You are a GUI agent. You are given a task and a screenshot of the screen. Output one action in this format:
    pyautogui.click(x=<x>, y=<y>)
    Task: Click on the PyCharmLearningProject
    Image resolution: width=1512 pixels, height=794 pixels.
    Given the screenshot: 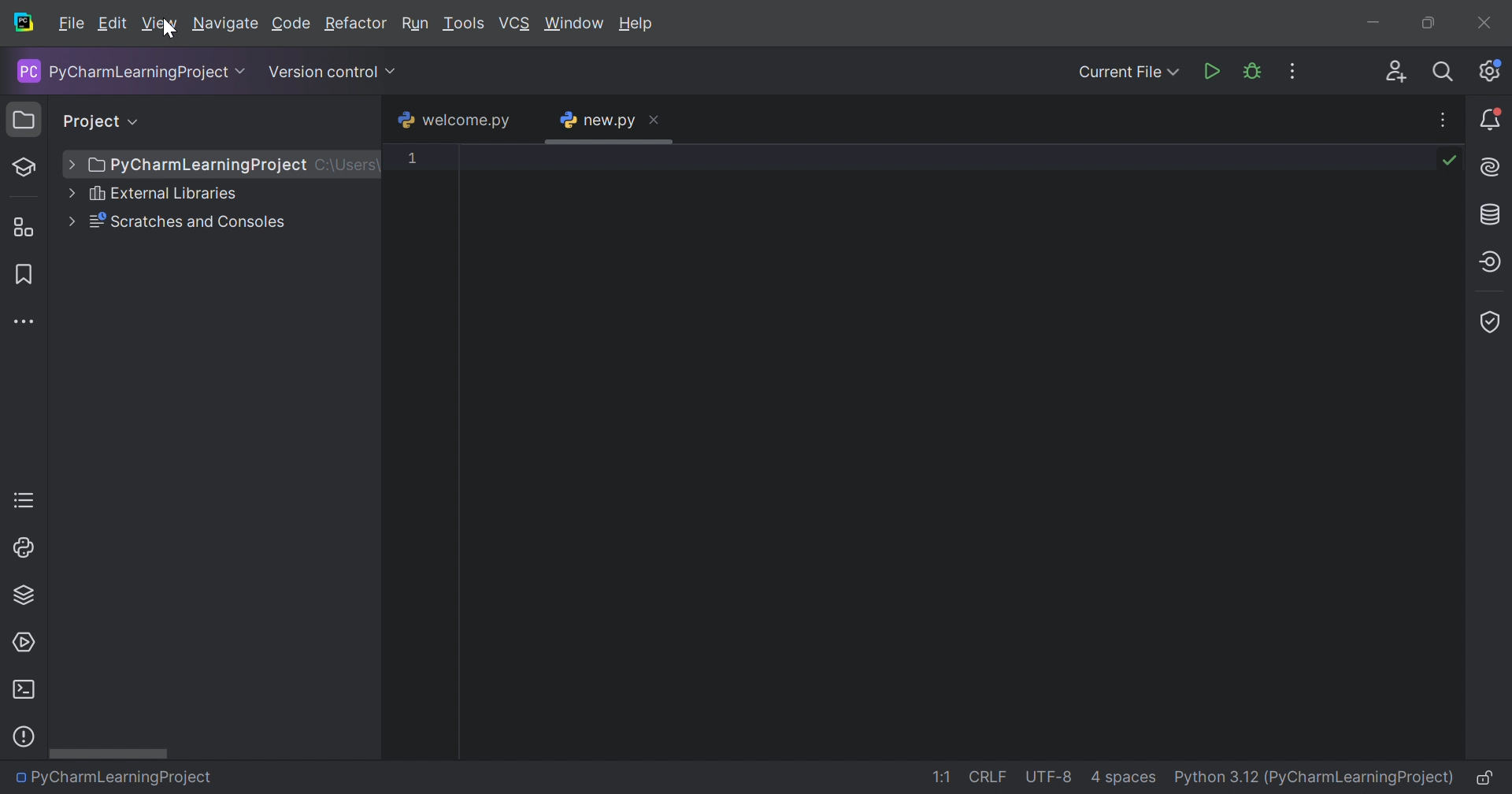 What is the action you would take?
    pyautogui.click(x=123, y=781)
    